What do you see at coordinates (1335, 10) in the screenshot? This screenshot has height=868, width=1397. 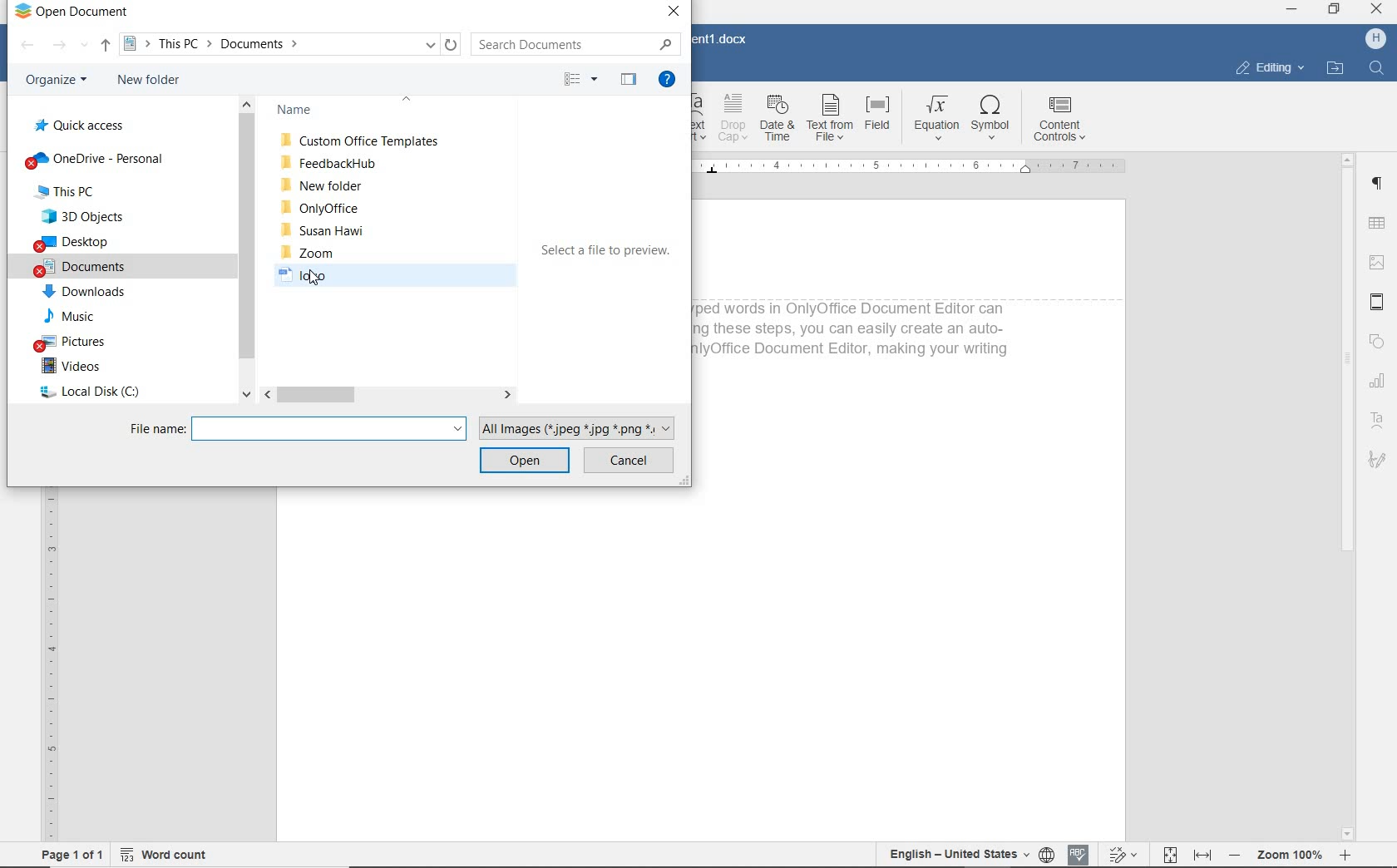 I see `maximize` at bounding box center [1335, 10].